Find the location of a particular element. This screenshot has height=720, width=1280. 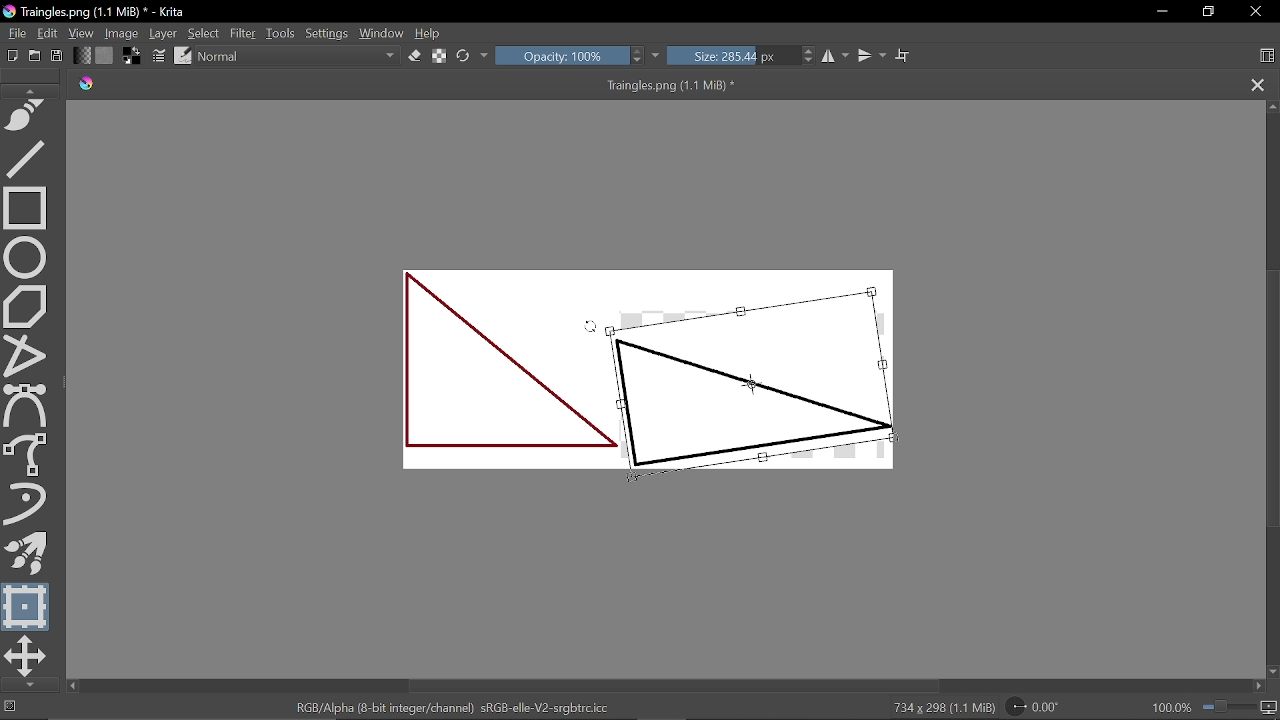

734 x 298 (1.1 MiB) is located at coordinates (938, 708).